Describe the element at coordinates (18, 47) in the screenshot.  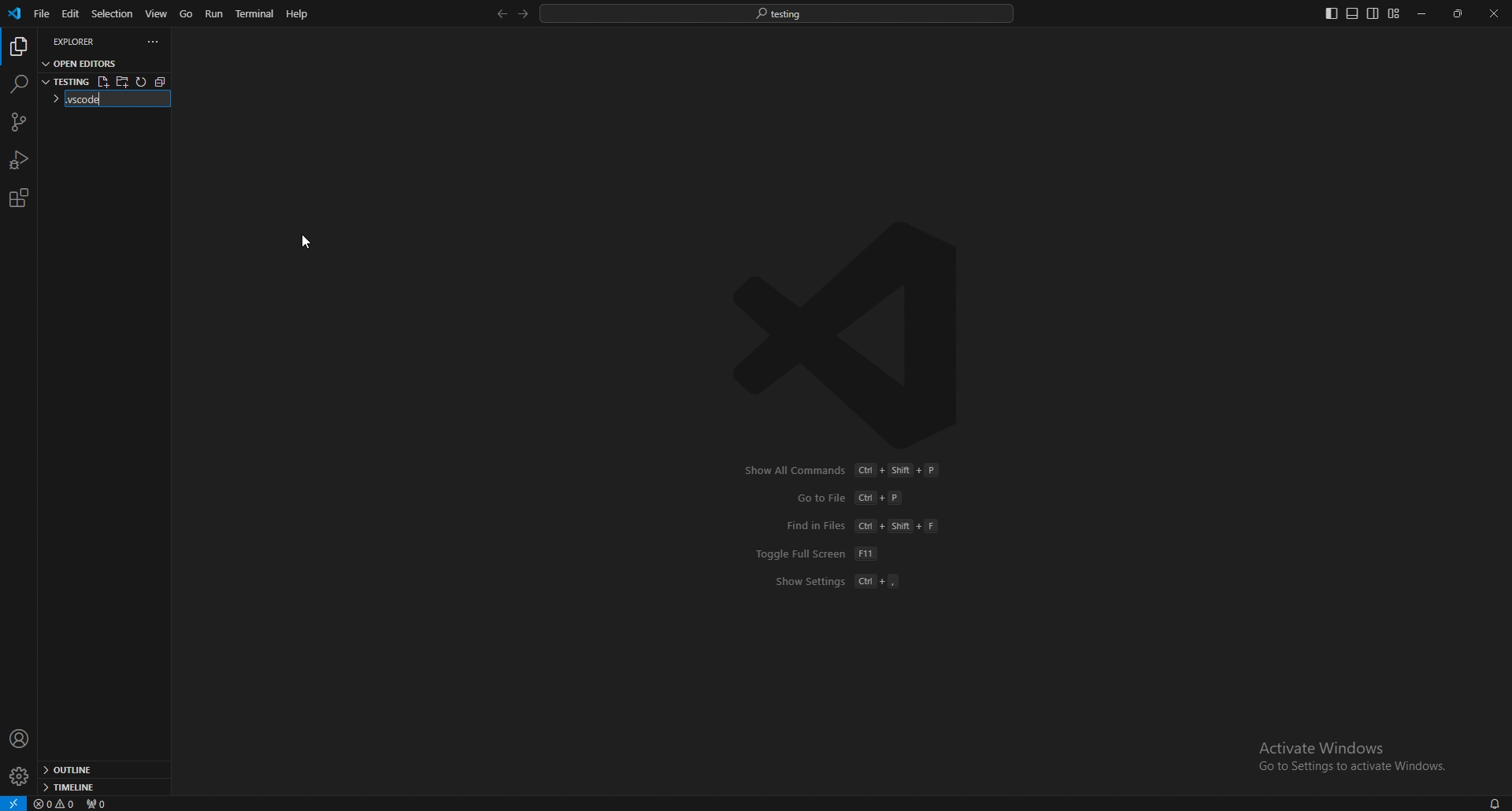
I see `explorer` at that location.